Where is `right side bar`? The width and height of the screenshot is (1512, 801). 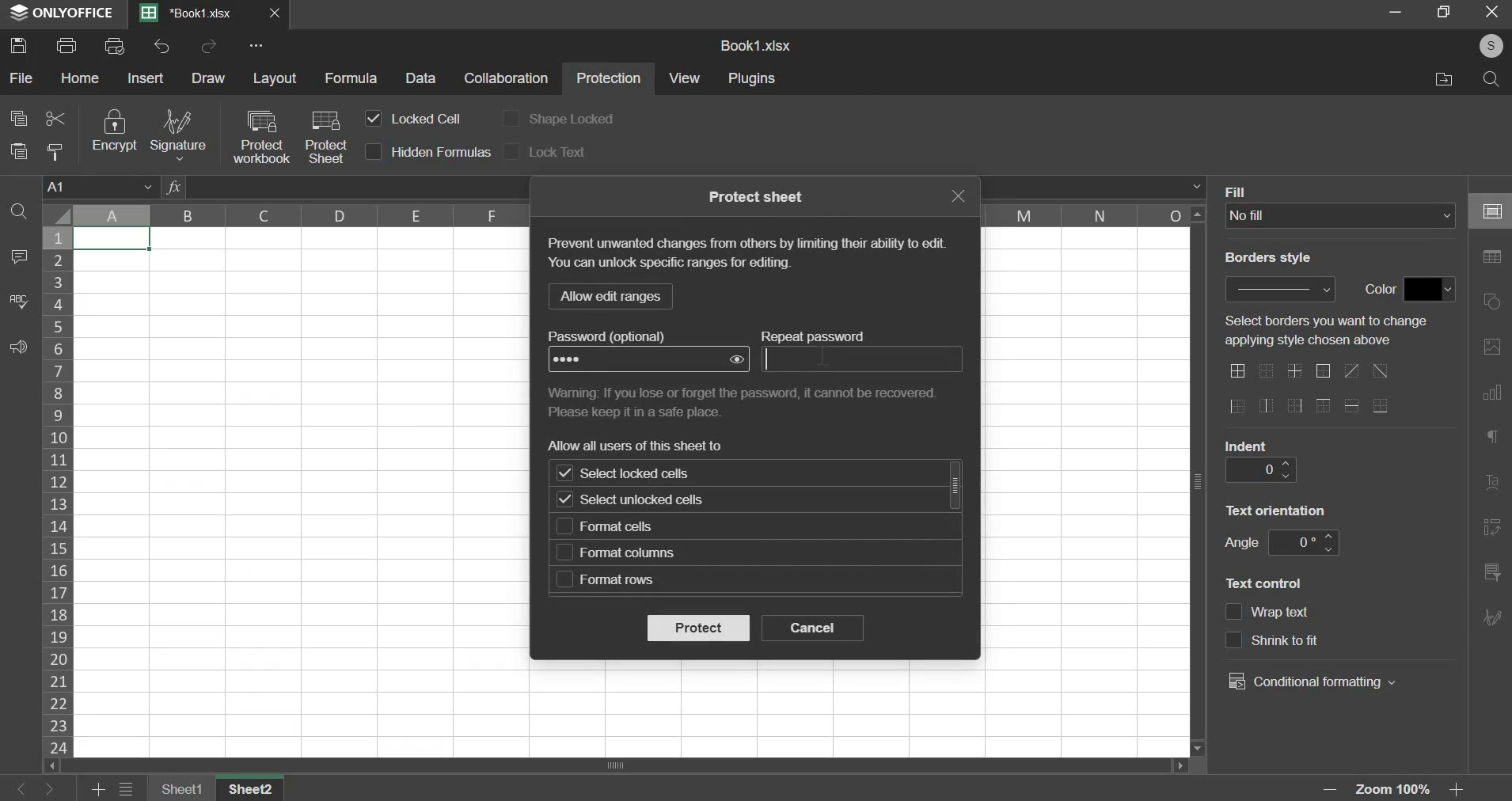
right side bar is located at coordinates (1495, 436).